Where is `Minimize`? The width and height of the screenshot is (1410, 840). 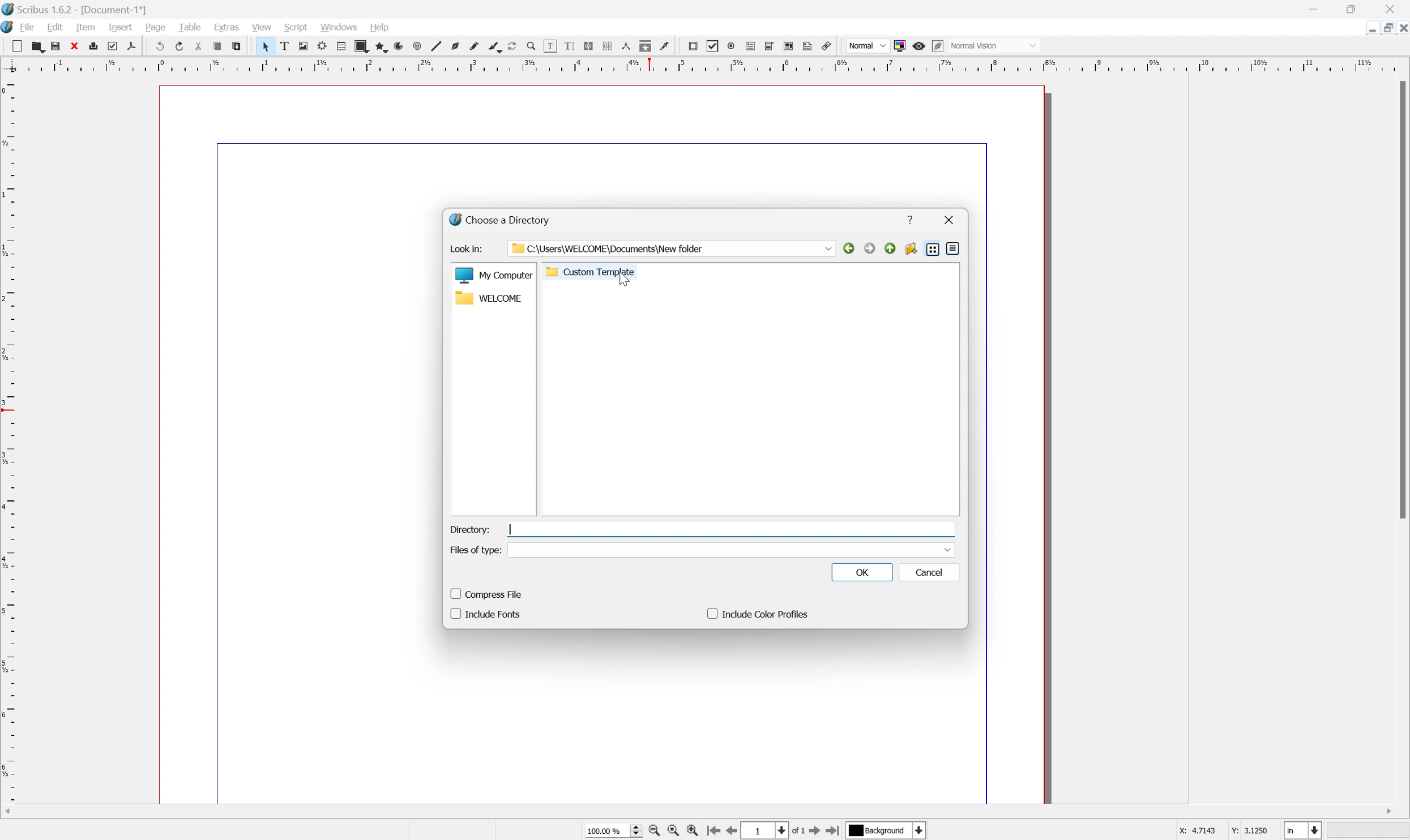
Minimize is located at coordinates (1315, 10).